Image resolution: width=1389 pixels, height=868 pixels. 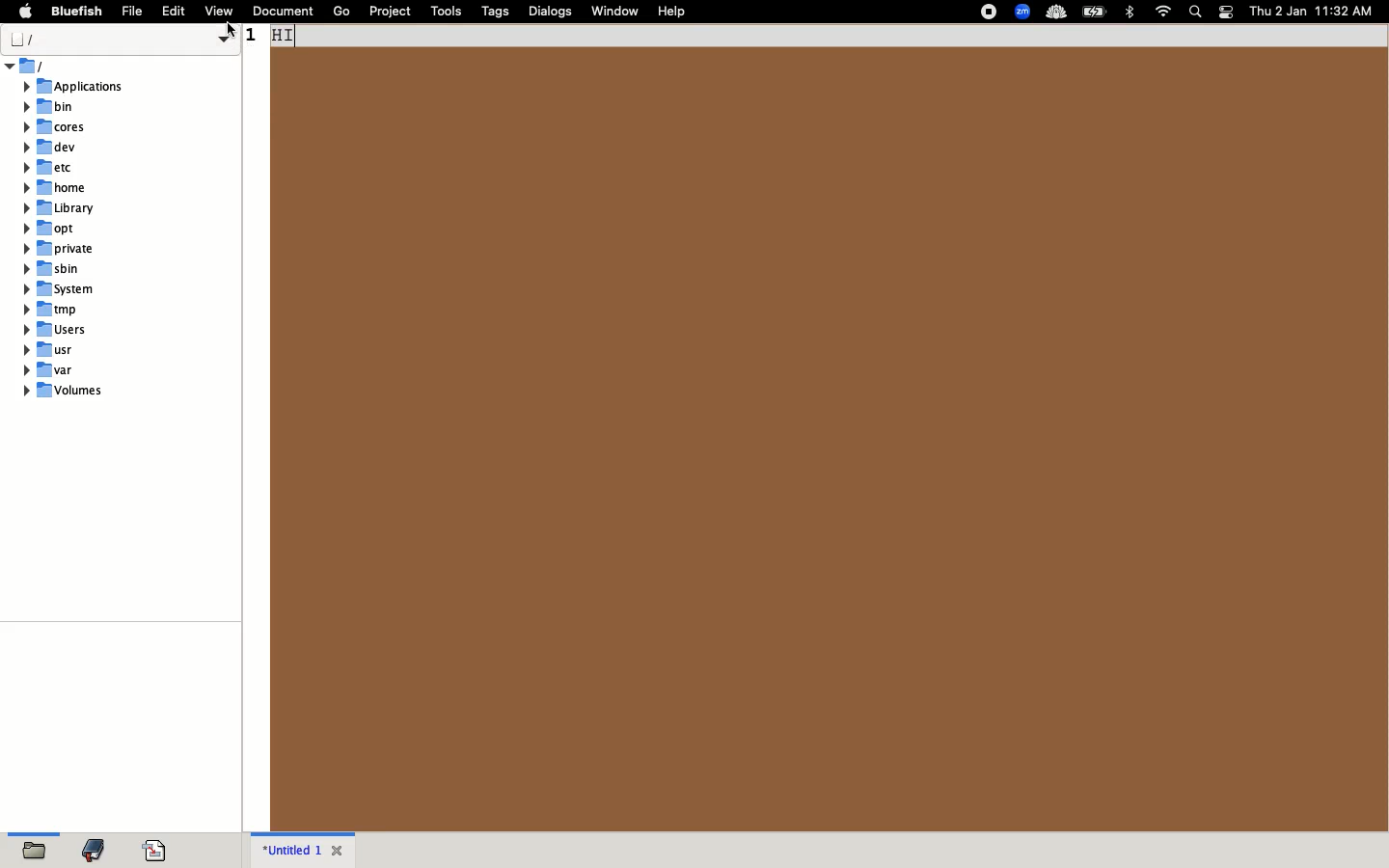 What do you see at coordinates (50, 168) in the screenshot?
I see `etc` at bounding box center [50, 168].